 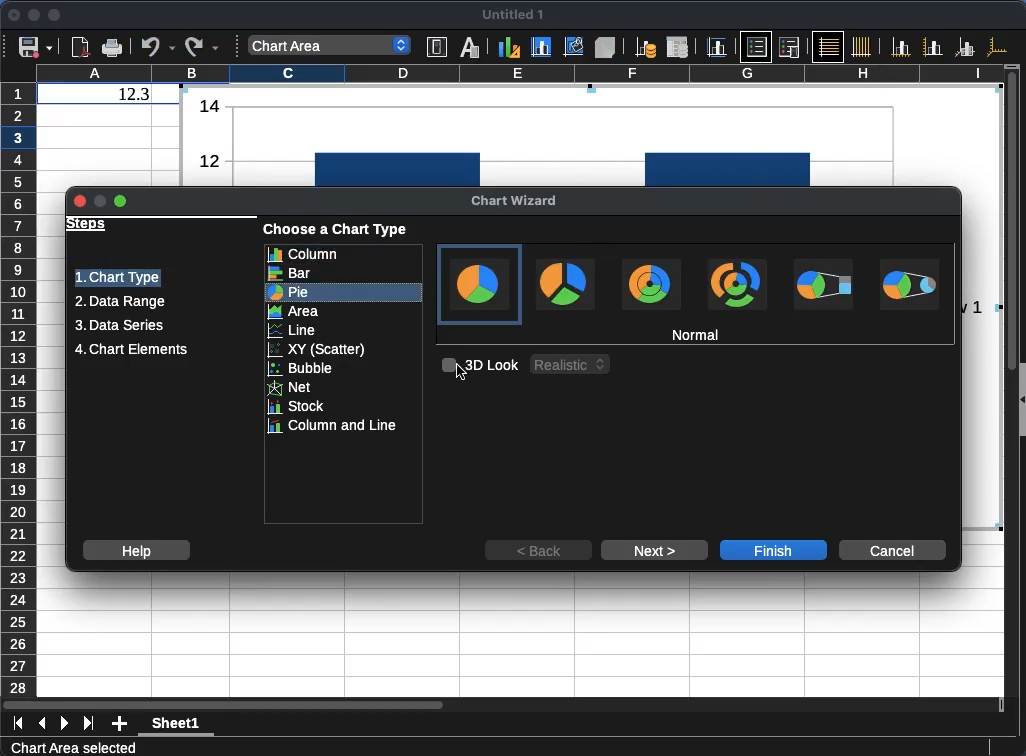 I want to click on Chart wall, so click(x=574, y=46).